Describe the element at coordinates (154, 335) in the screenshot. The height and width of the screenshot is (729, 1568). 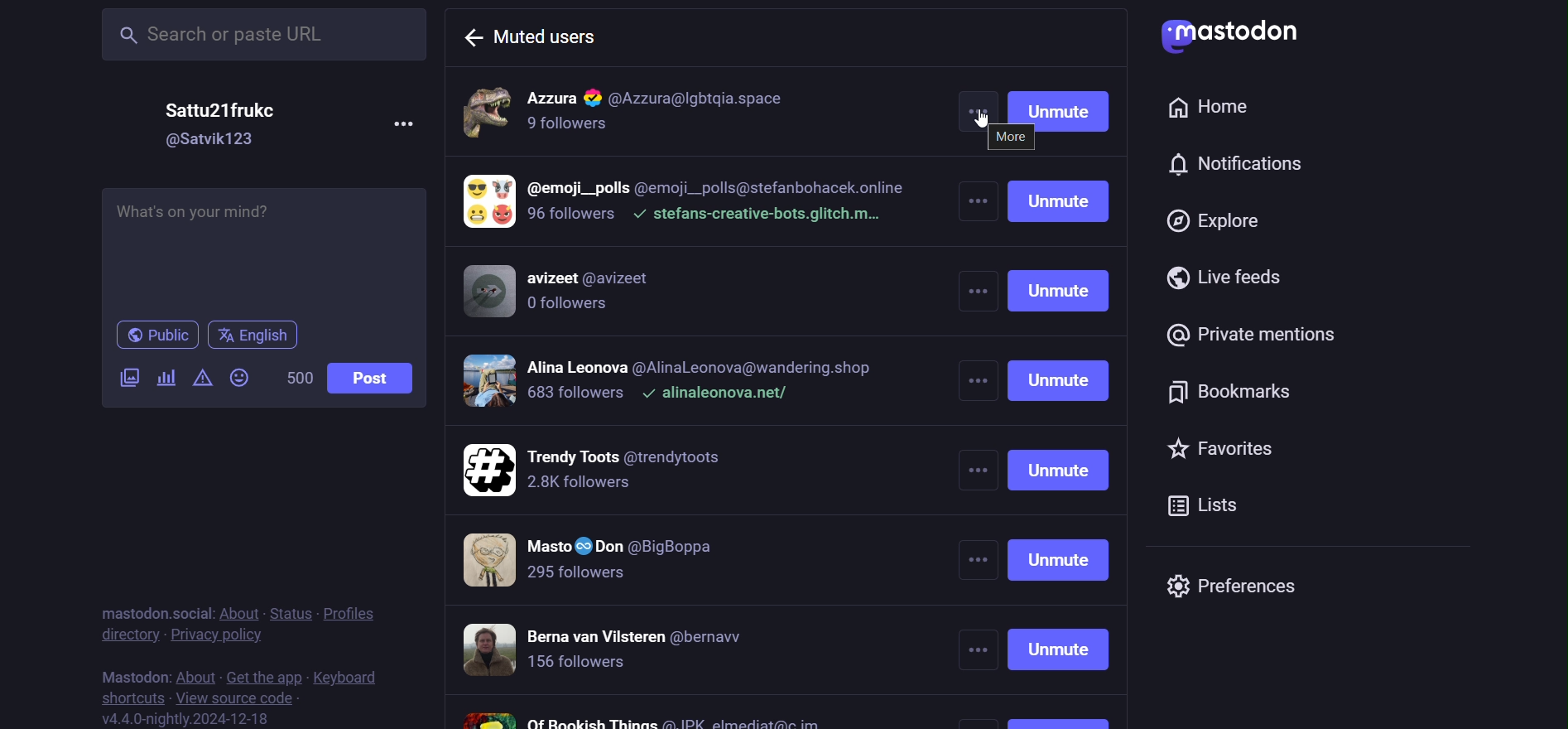
I see `public` at that location.